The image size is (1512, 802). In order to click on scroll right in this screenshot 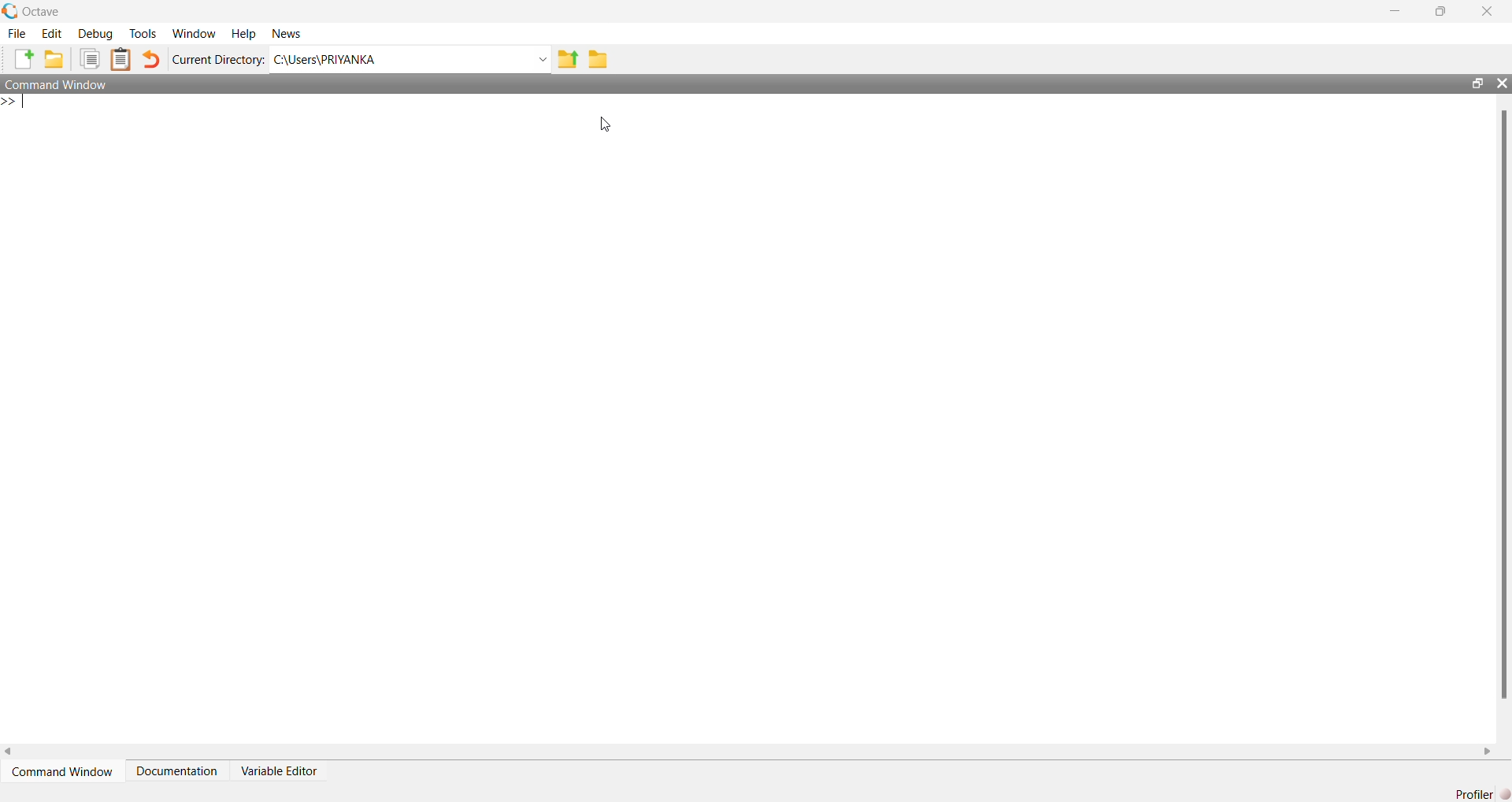, I will do `click(1487, 752)`.